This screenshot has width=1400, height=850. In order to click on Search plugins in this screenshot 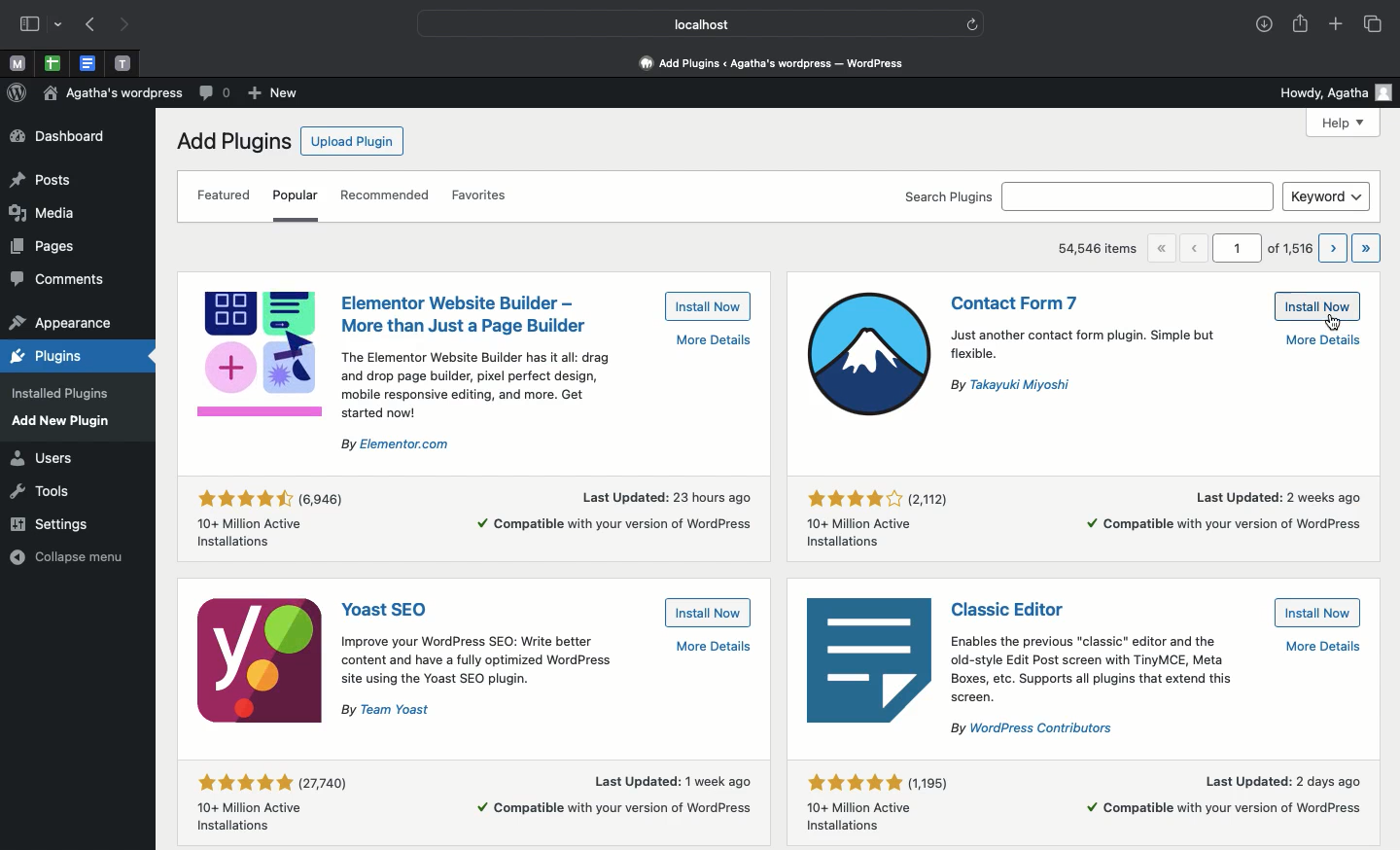, I will do `click(948, 195)`.